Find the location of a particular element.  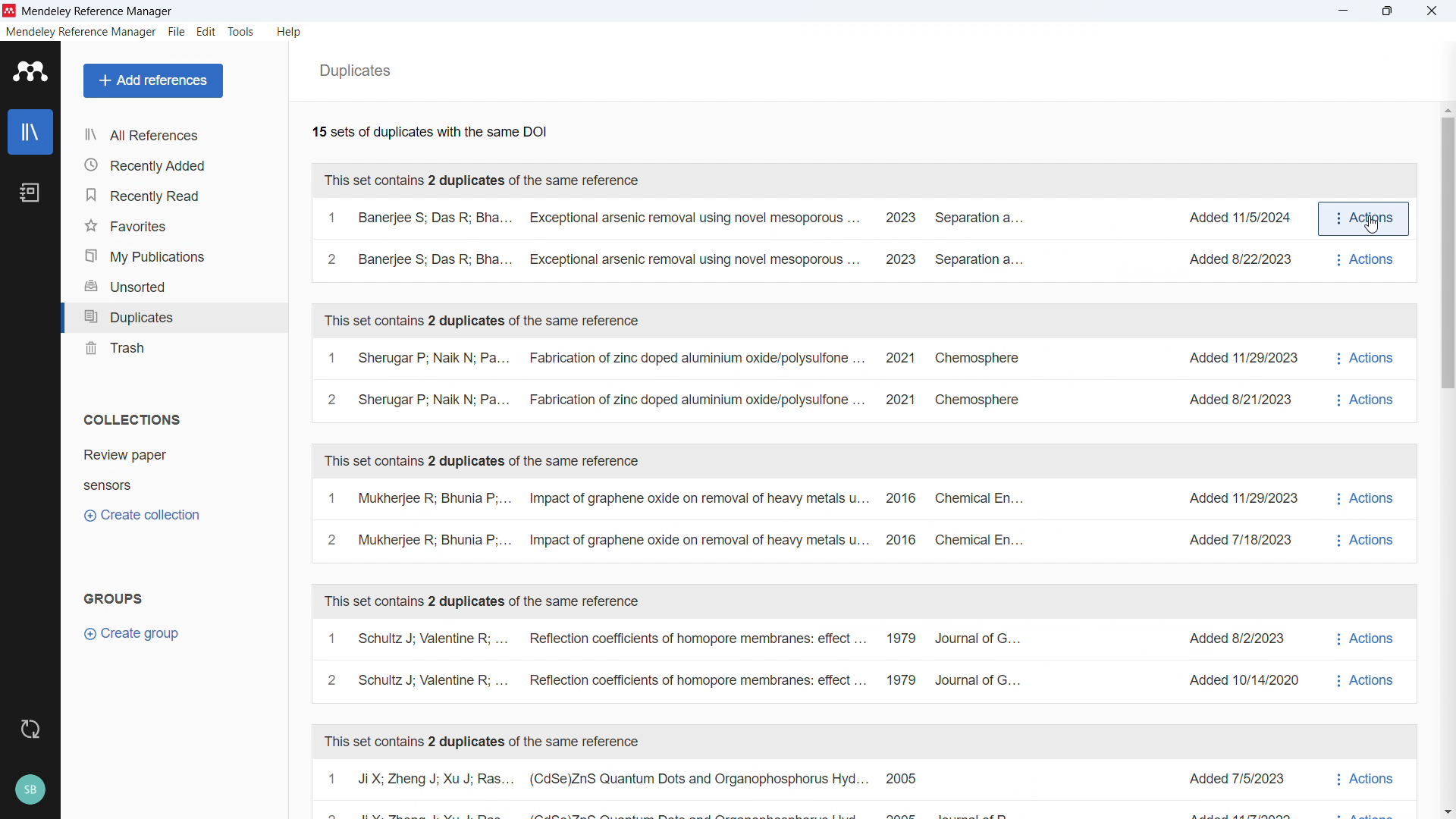

1 Sherugar P; Naik N; Pa... Fabrication of zinc doped aluminium oxide/polysulfone 2021 Chemosphere is located at coordinates (677, 356).